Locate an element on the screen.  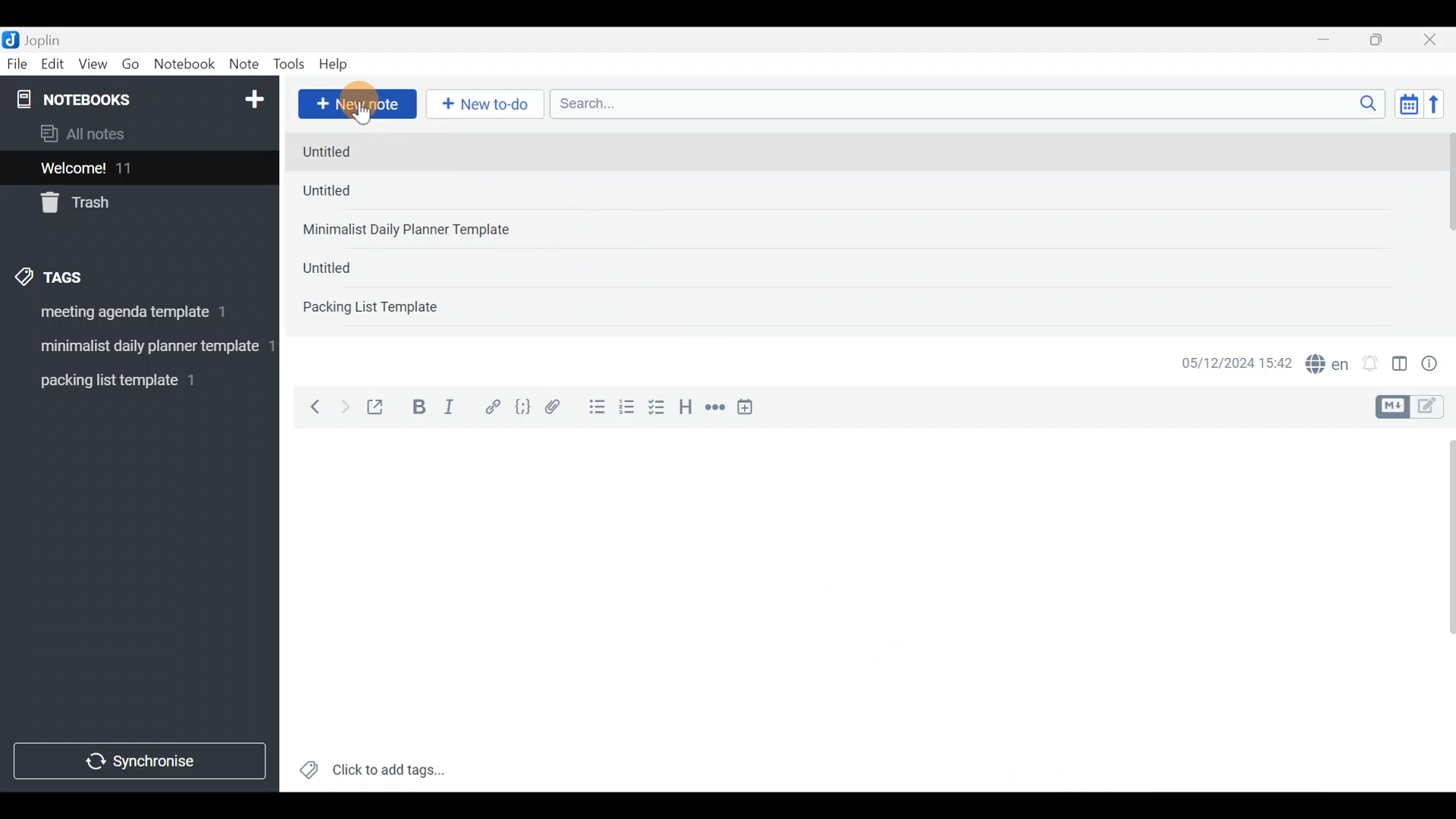
Scroll bar is located at coordinates (1440, 610).